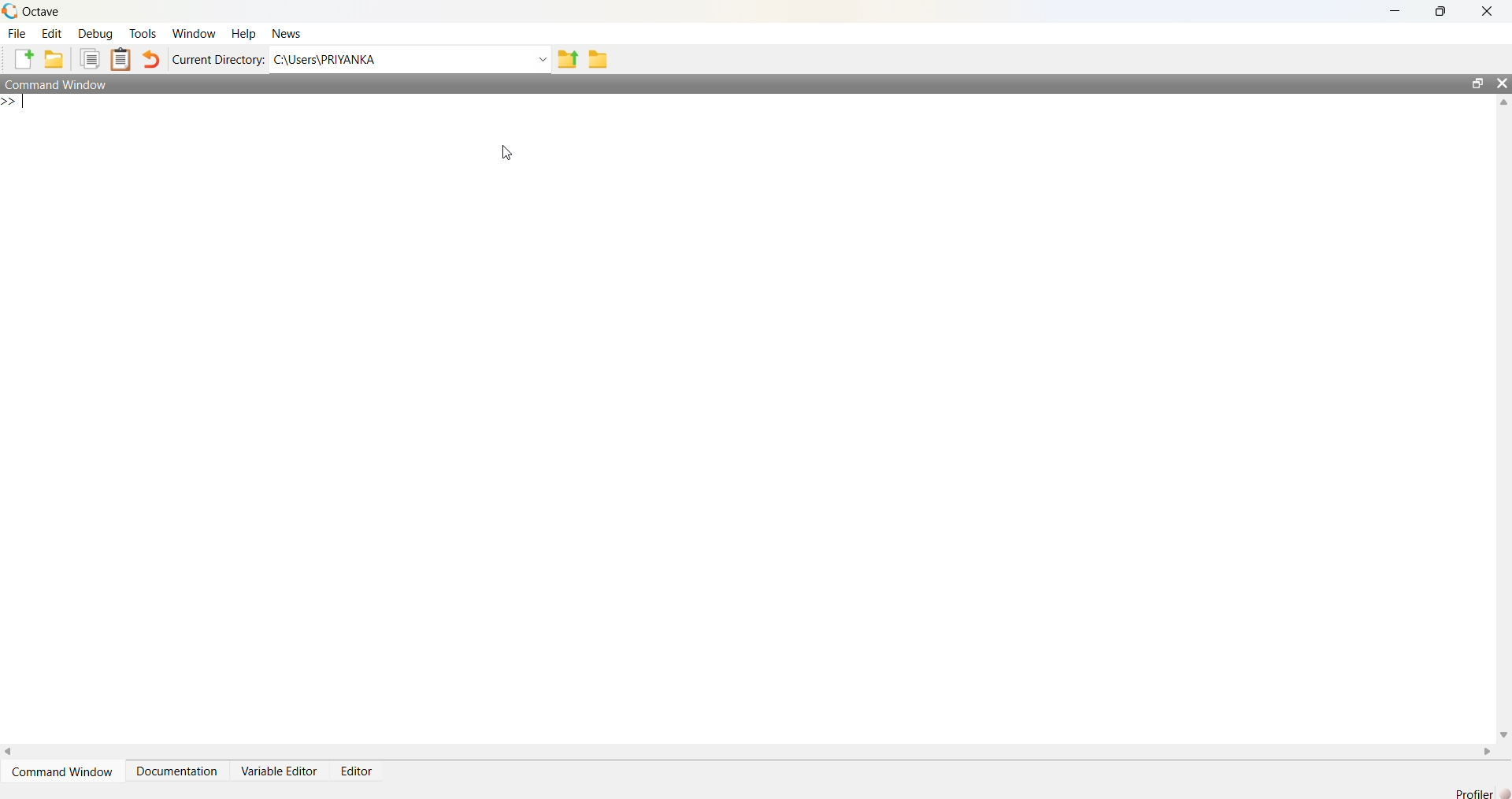  What do you see at coordinates (1503, 728) in the screenshot?
I see `Down` at bounding box center [1503, 728].